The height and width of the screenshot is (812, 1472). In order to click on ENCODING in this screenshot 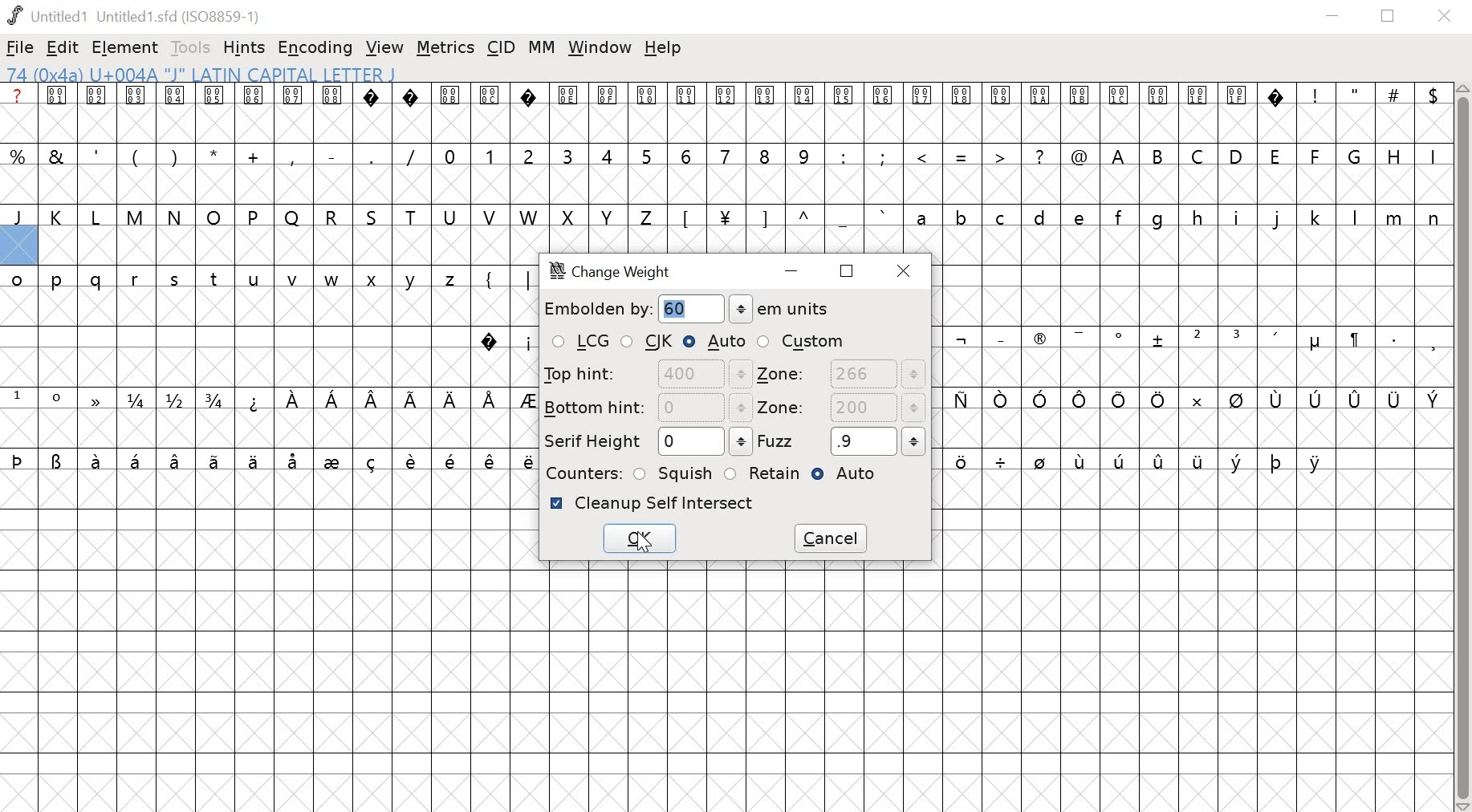, I will do `click(315, 48)`.